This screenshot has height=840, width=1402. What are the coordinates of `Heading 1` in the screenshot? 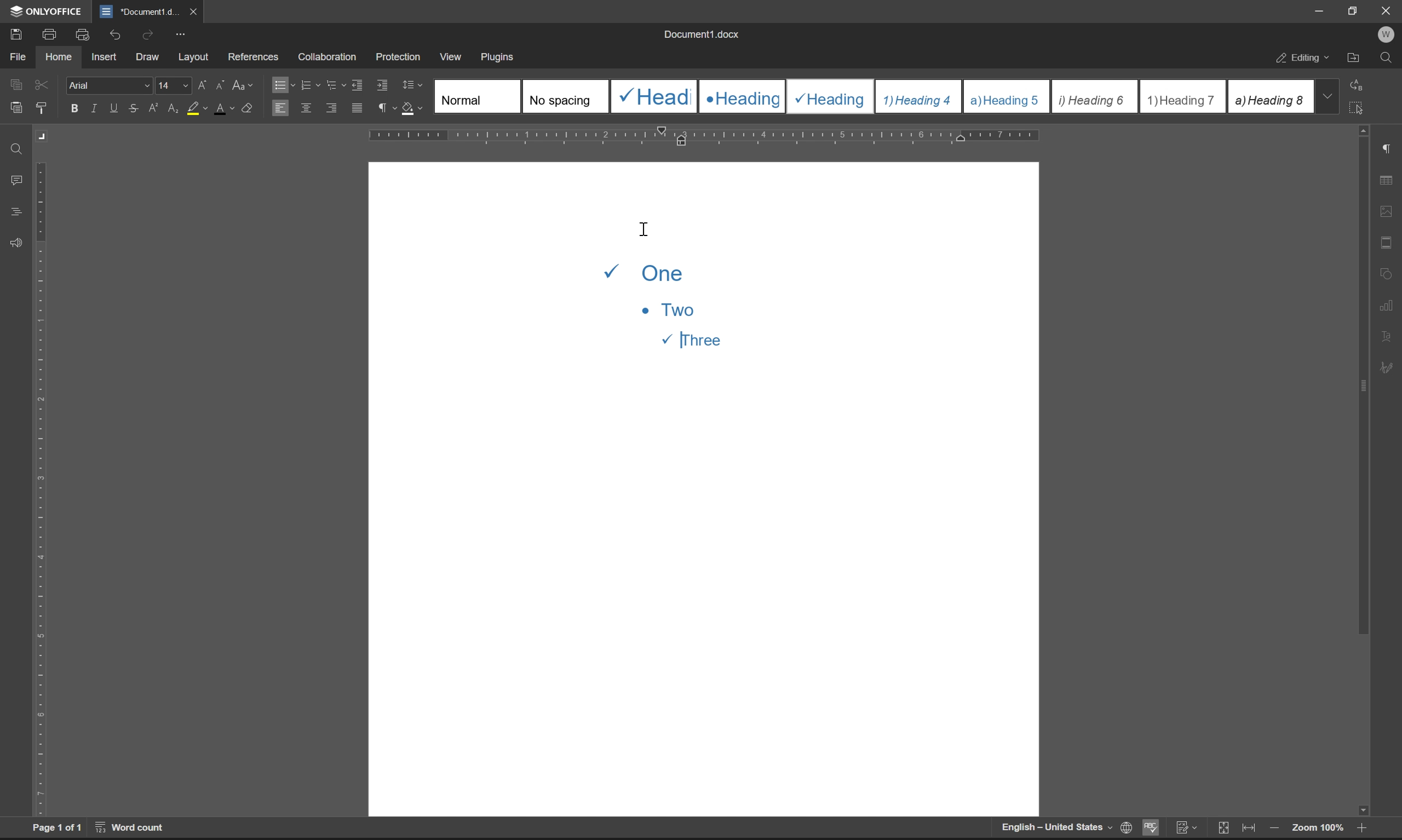 It's located at (652, 96).